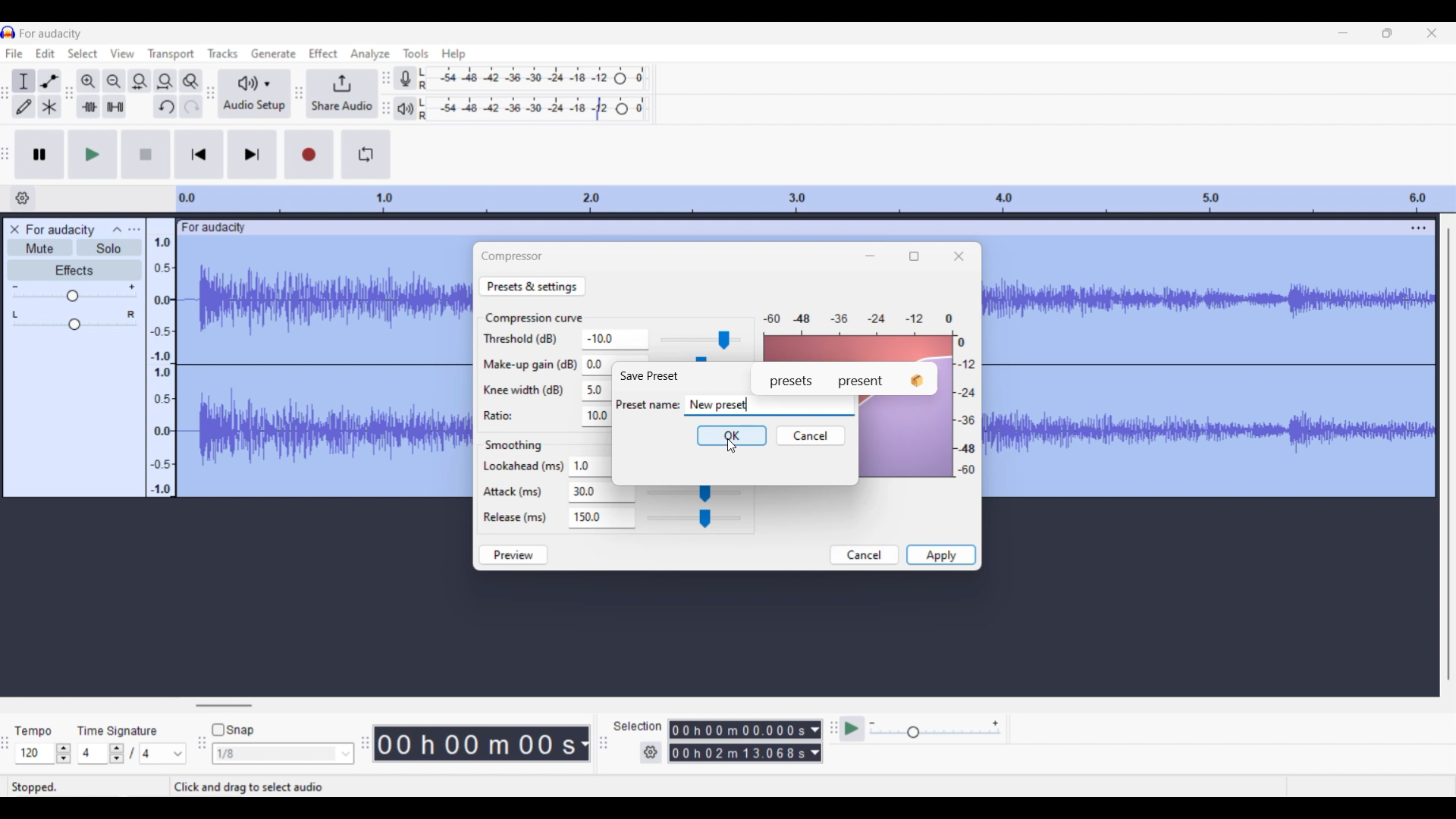 The image size is (1456, 819). I want to click on Solo, so click(109, 248).